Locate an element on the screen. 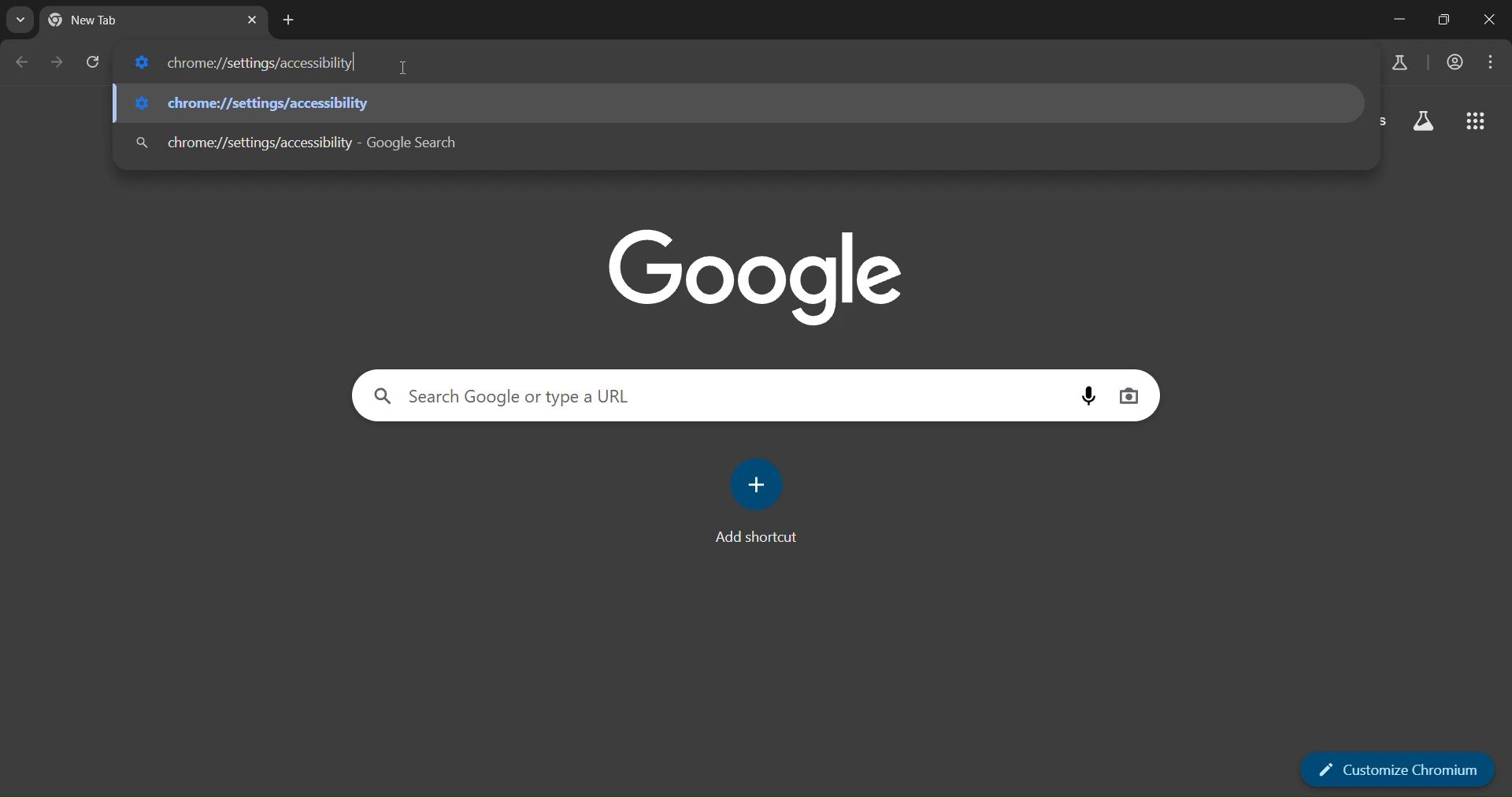 The height and width of the screenshot is (797, 1512). google apps is located at coordinates (1474, 124).